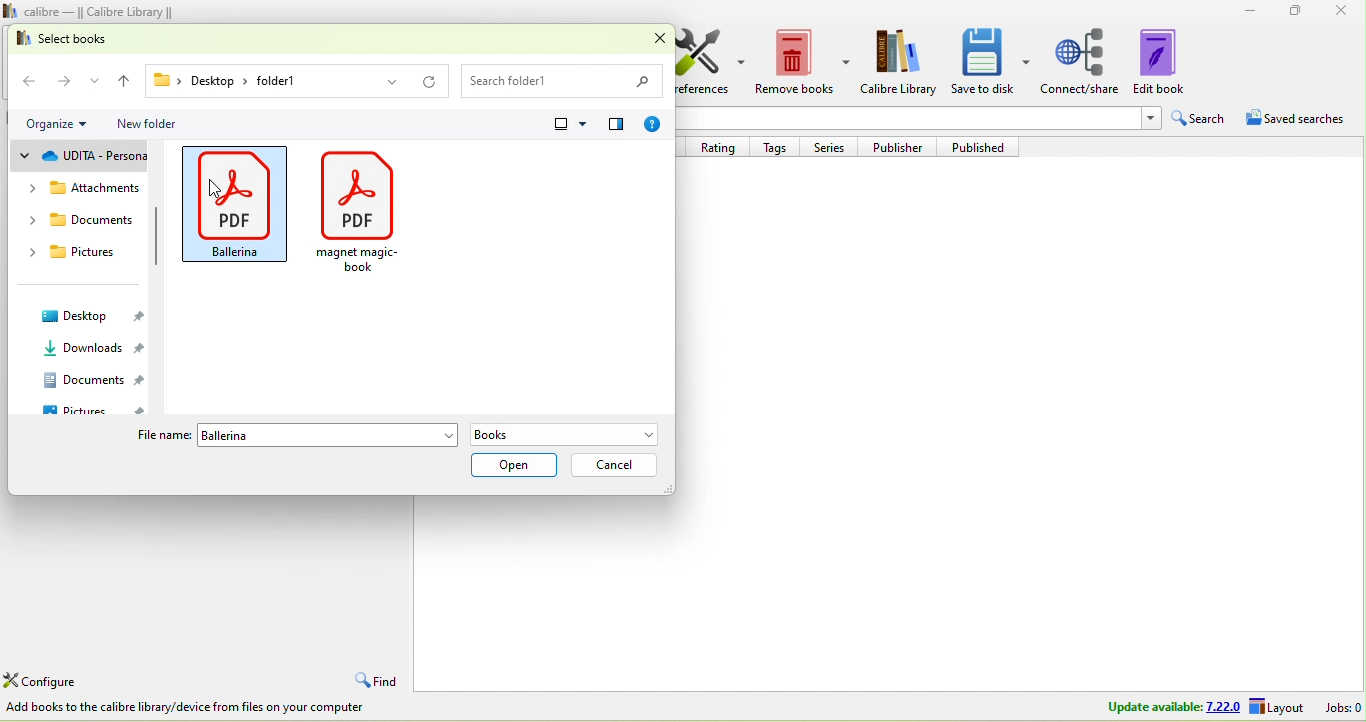  Describe the element at coordinates (834, 147) in the screenshot. I see `series` at that location.